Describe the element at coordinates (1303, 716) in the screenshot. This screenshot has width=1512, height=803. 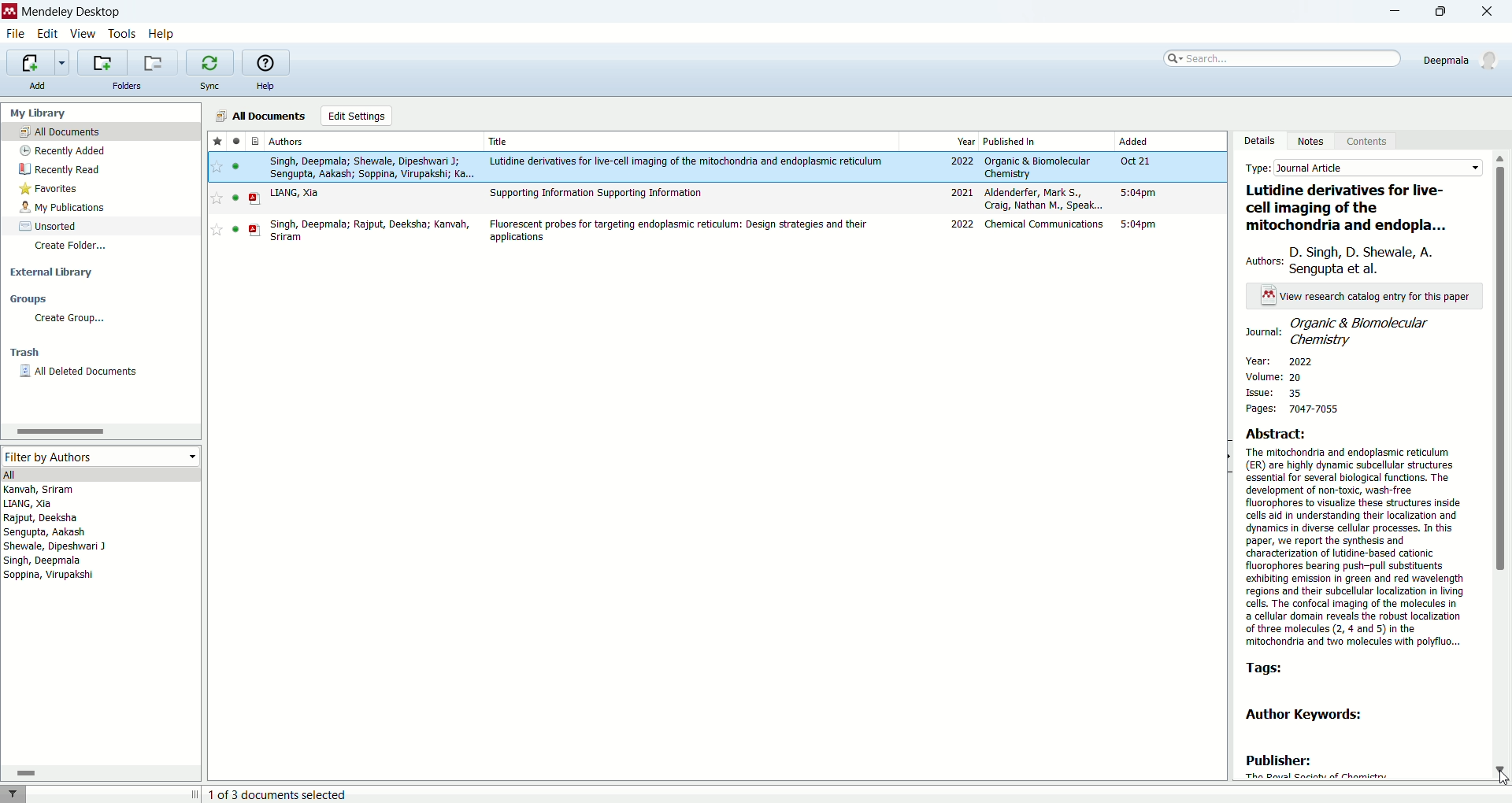
I see `author keywords: ` at that location.